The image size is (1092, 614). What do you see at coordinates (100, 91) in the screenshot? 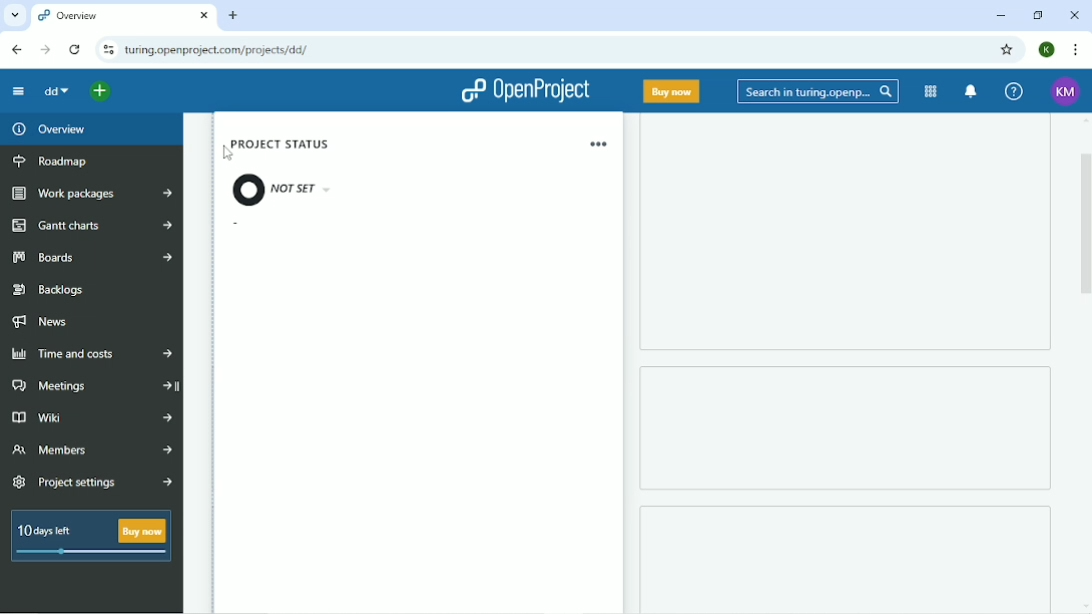
I see `Open quick add menu` at bounding box center [100, 91].